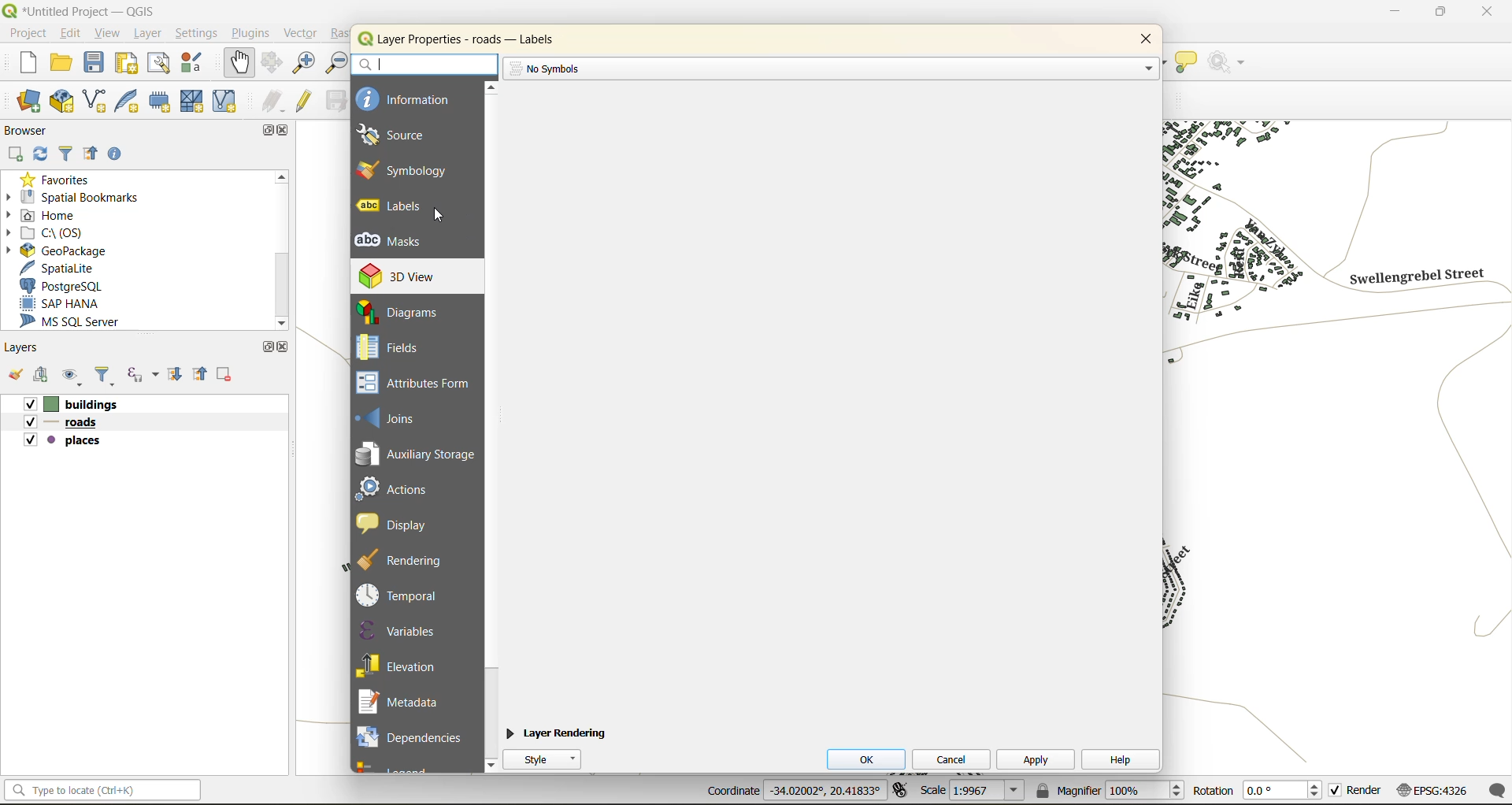  Describe the element at coordinates (419, 384) in the screenshot. I see `attributes form` at that location.